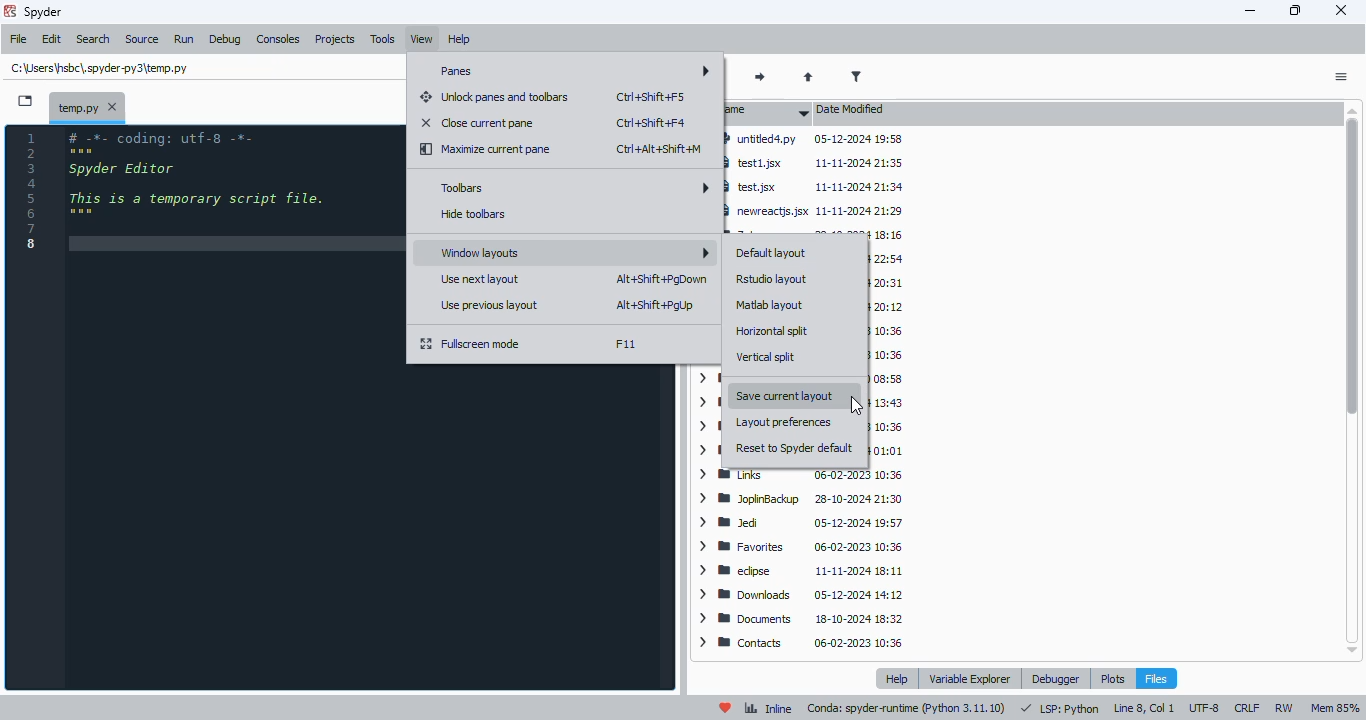 The image size is (1366, 720). Describe the element at coordinates (858, 77) in the screenshot. I see `filter filenames` at that location.